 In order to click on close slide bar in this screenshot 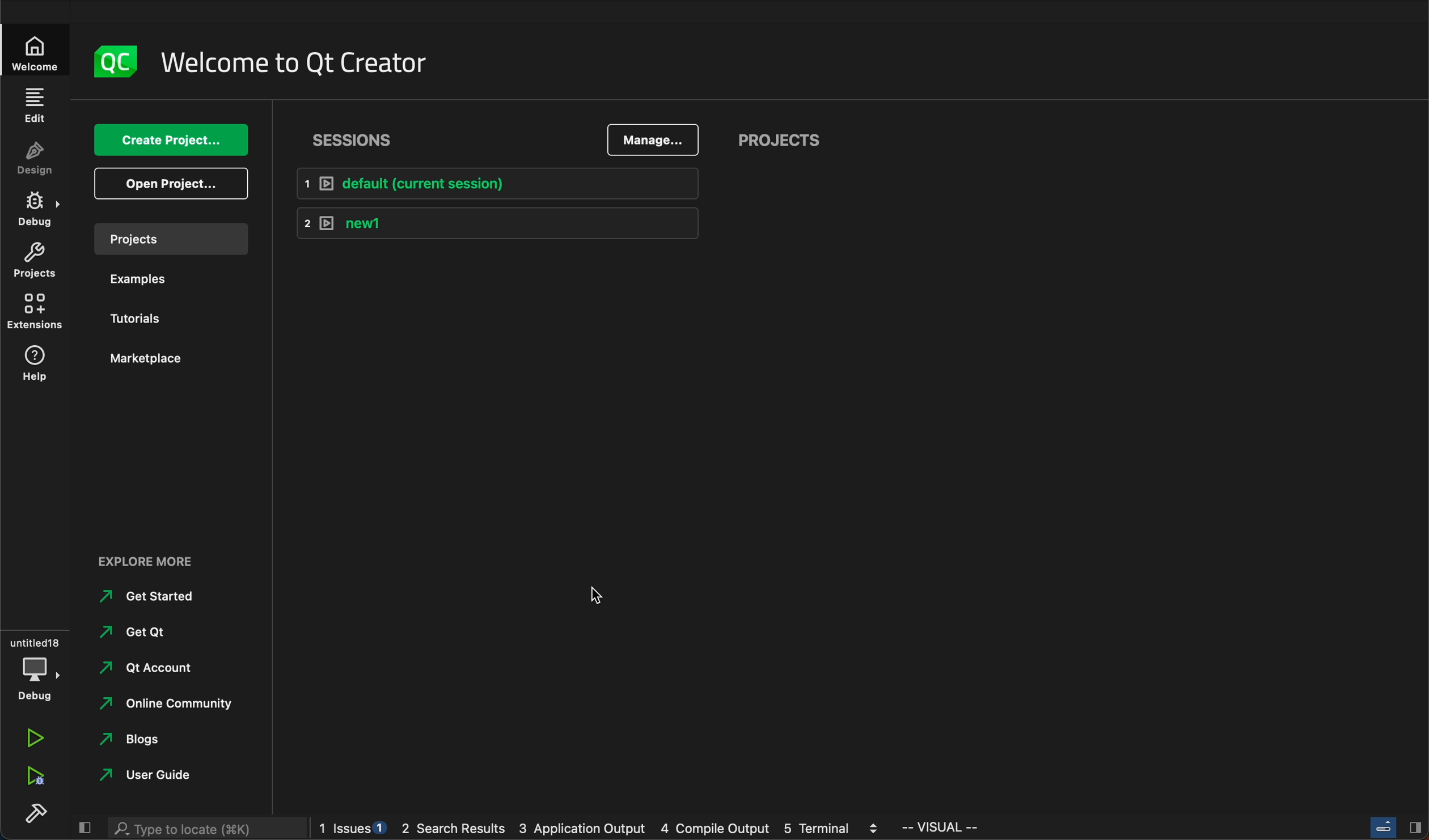, I will do `click(1394, 827)`.